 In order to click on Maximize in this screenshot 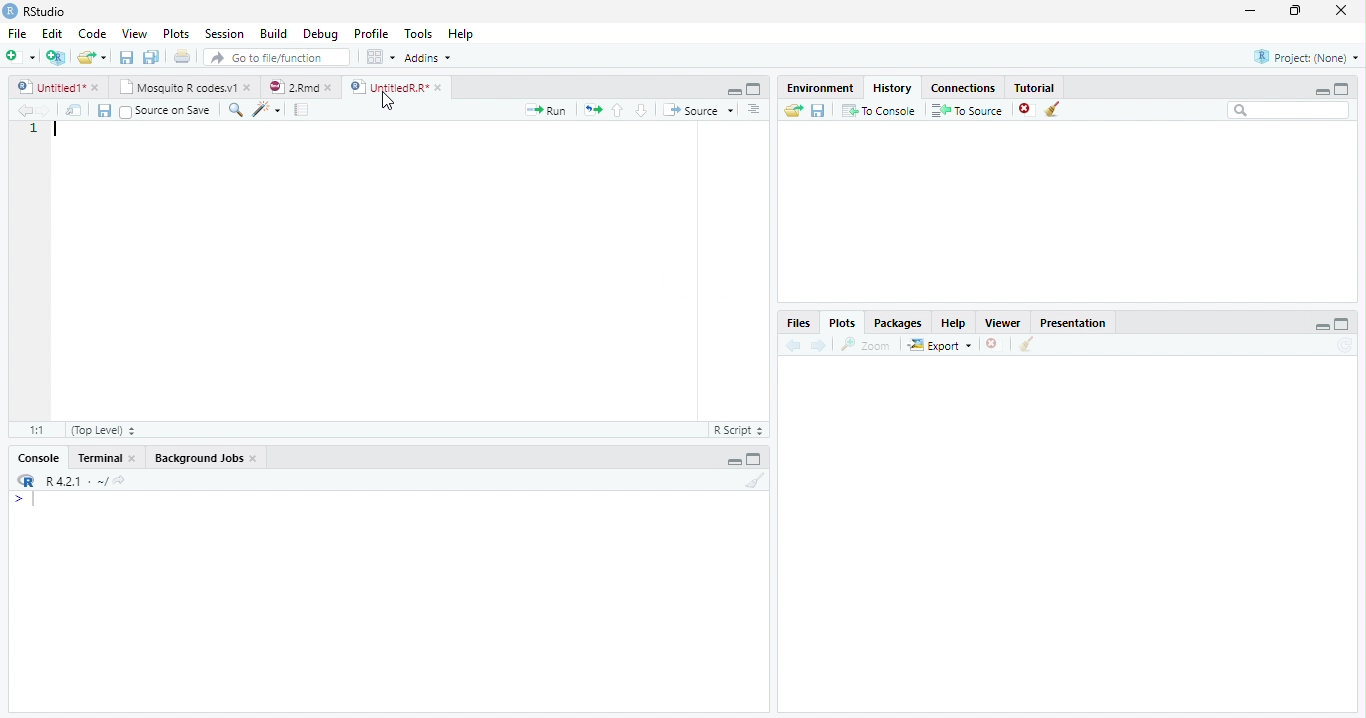, I will do `click(754, 89)`.